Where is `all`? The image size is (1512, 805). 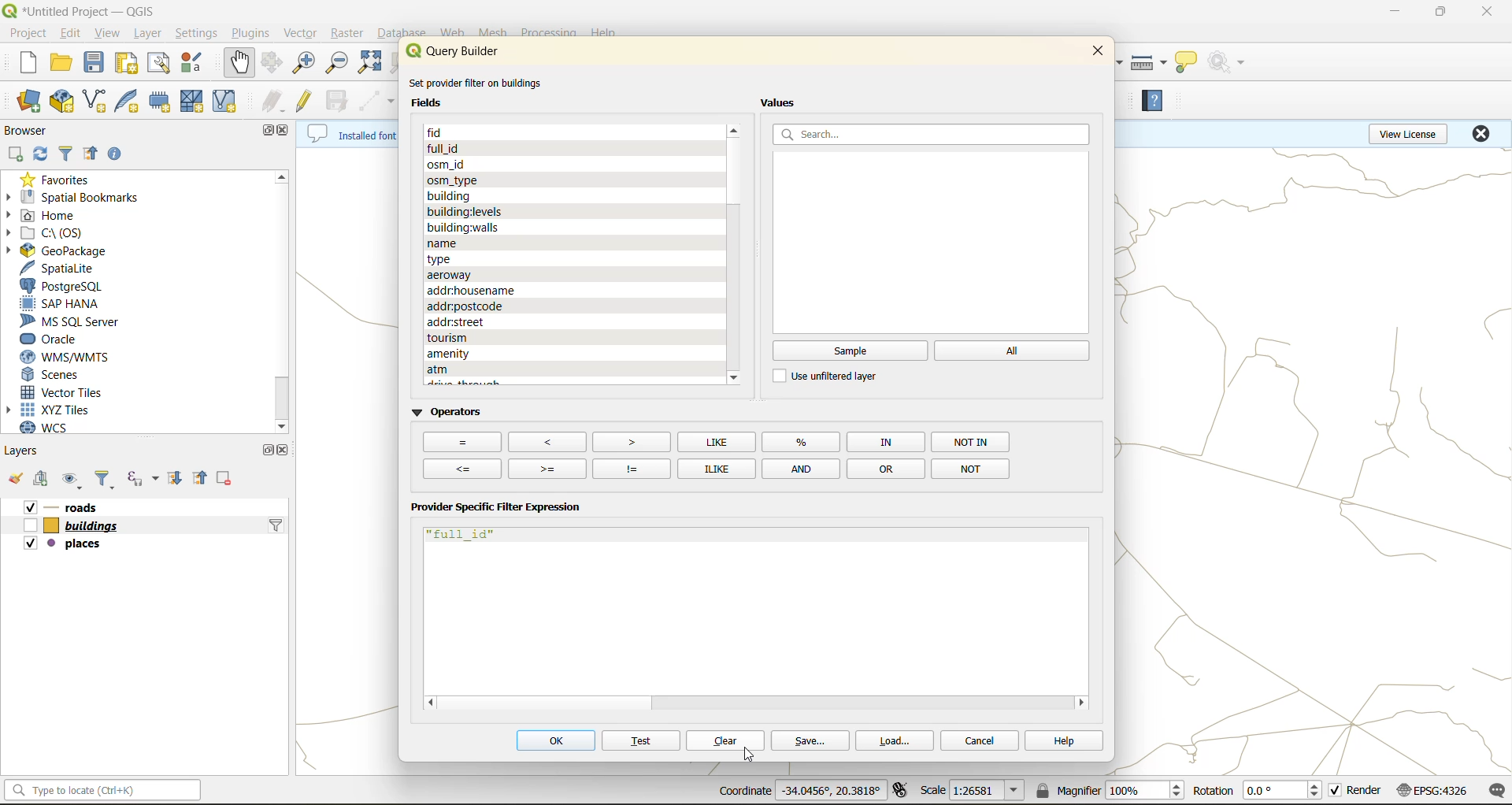
all is located at coordinates (1014, 351).